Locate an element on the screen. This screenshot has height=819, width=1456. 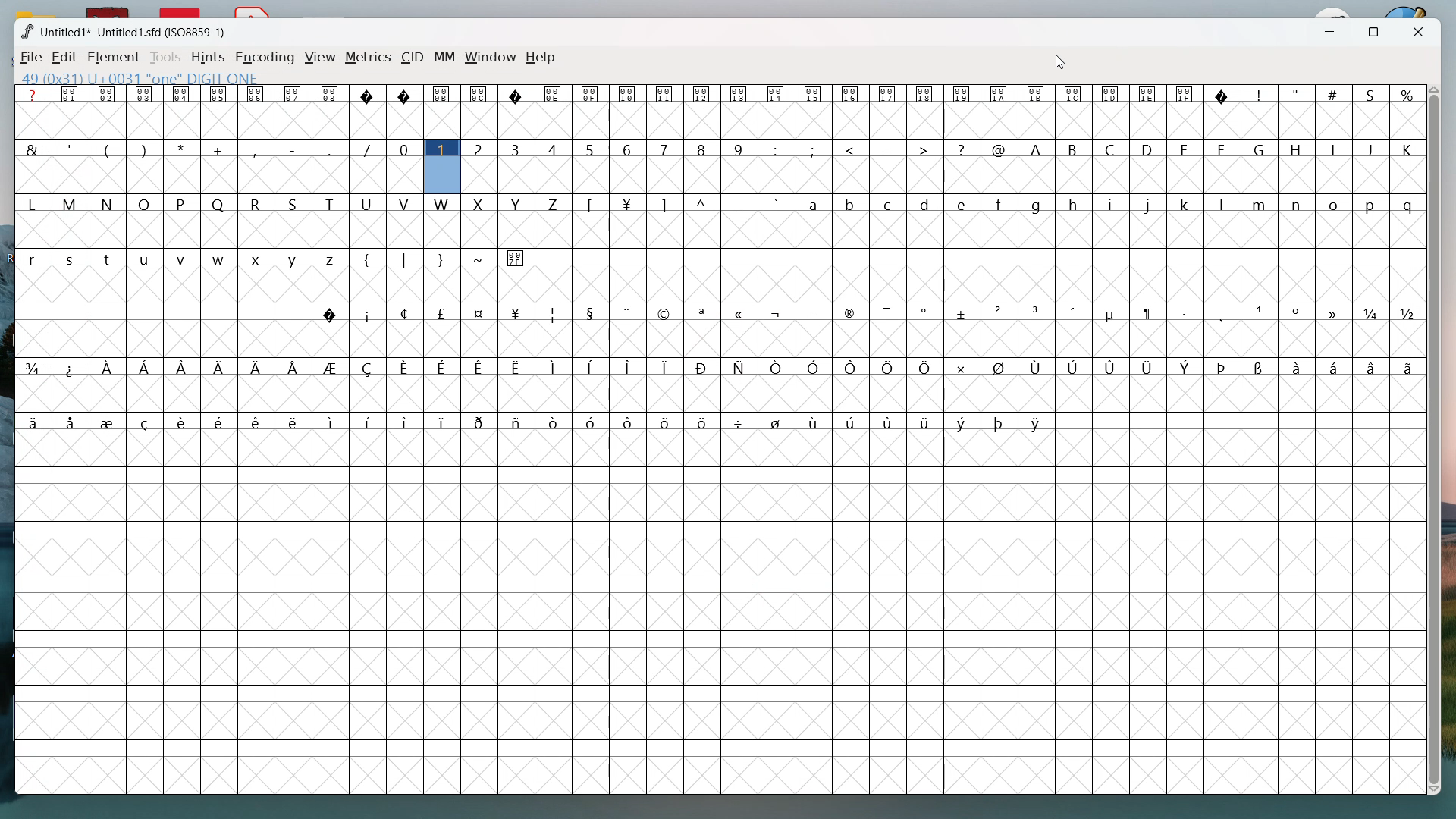
symbol is located at coordinates (444, 314).